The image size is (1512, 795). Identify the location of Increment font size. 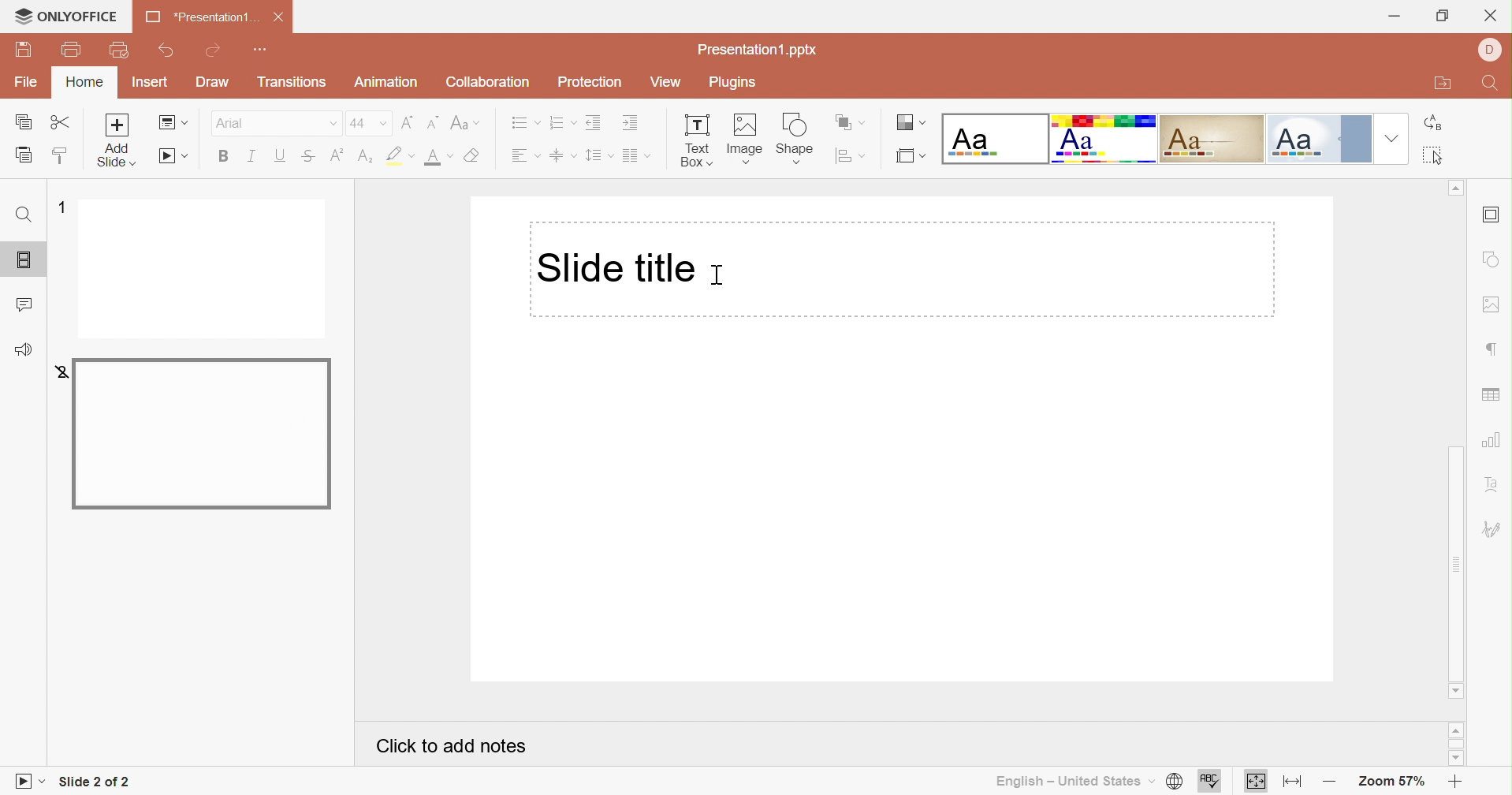
(408, 122).